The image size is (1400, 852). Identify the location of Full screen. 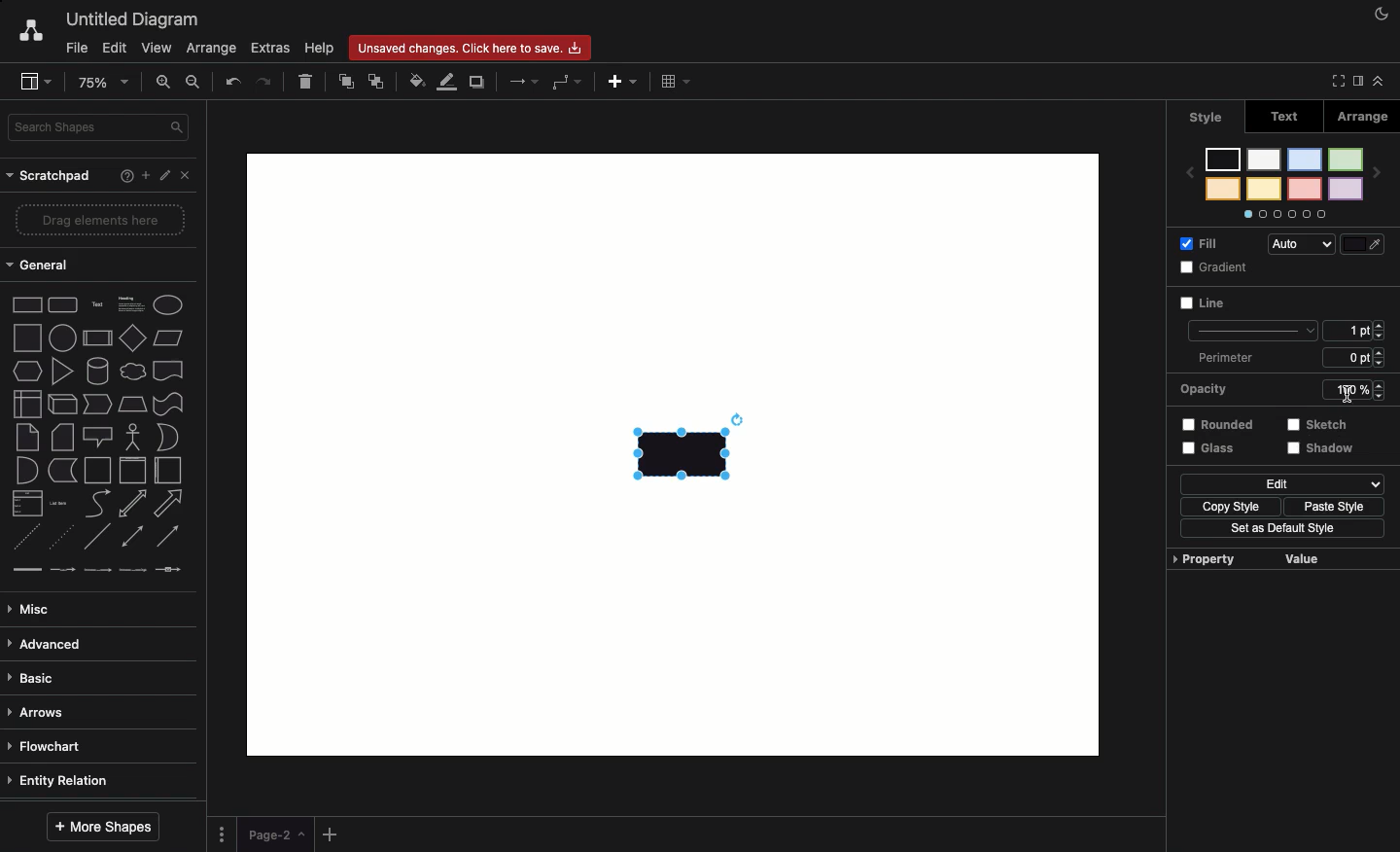
(1334, 81).